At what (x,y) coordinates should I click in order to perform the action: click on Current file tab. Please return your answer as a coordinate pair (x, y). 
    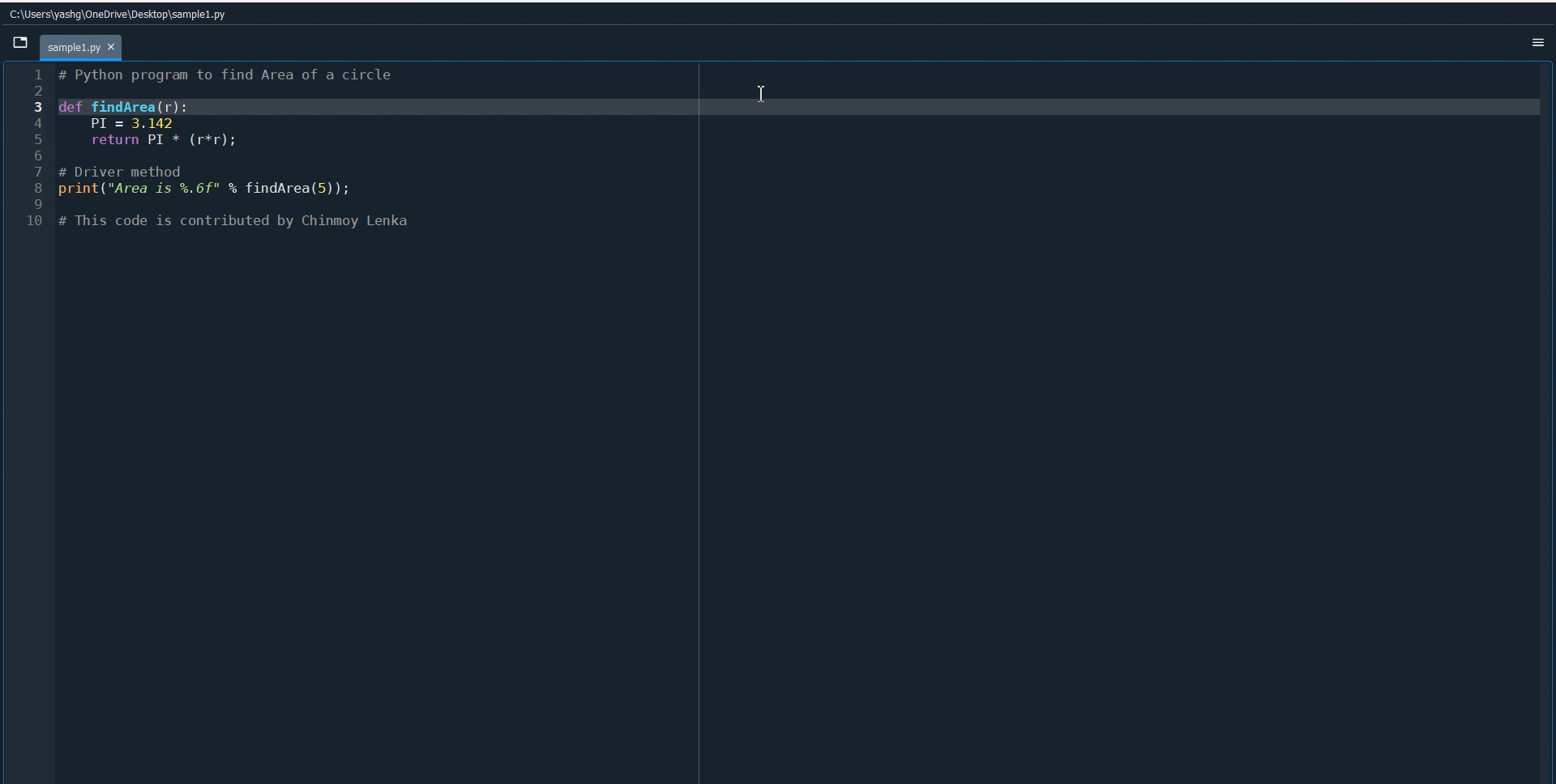
    Looking at the image, I should click on (84, 48).